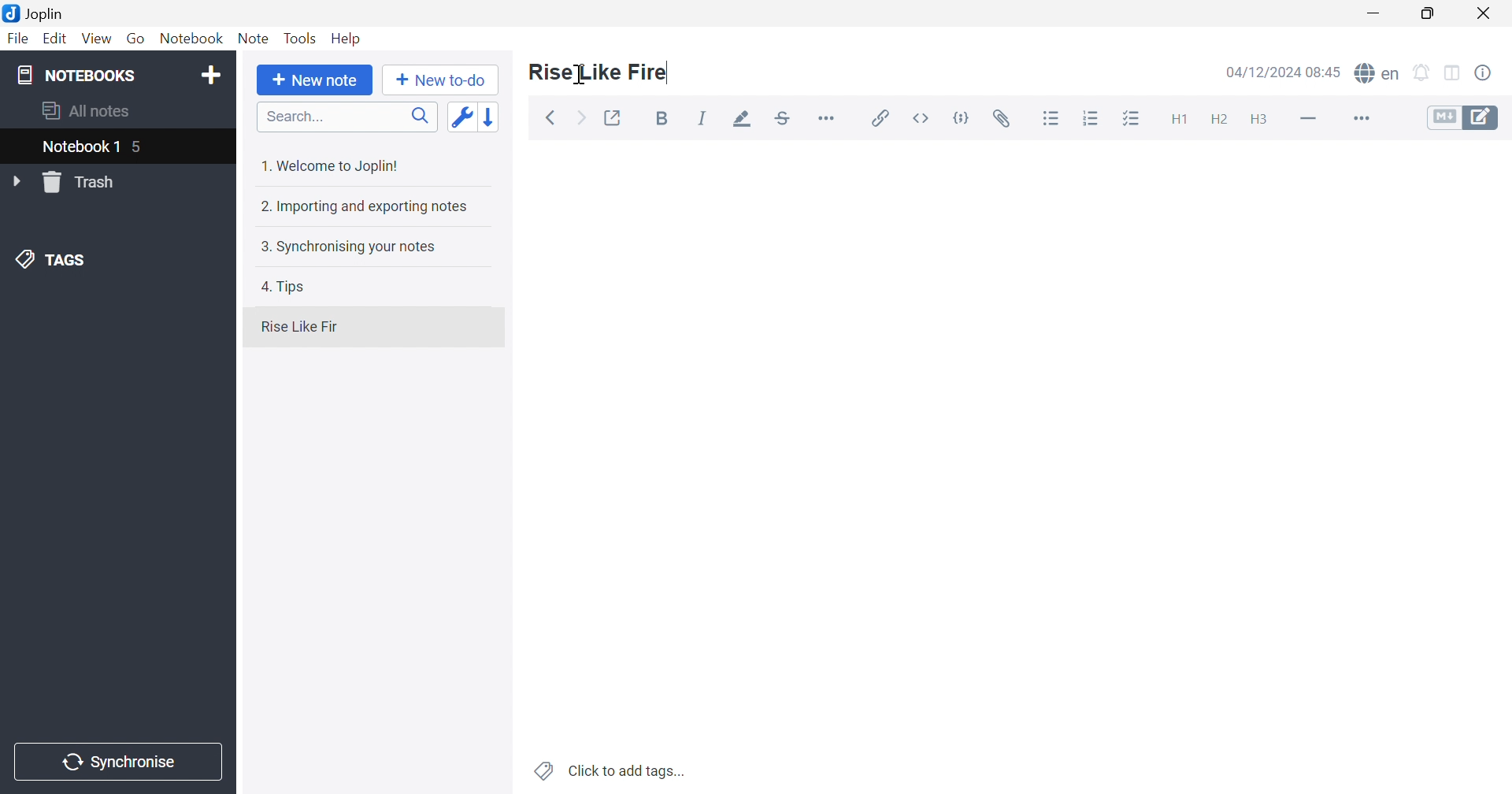  I want to click on 2. Importing and exporting notes, so click(361, 208).